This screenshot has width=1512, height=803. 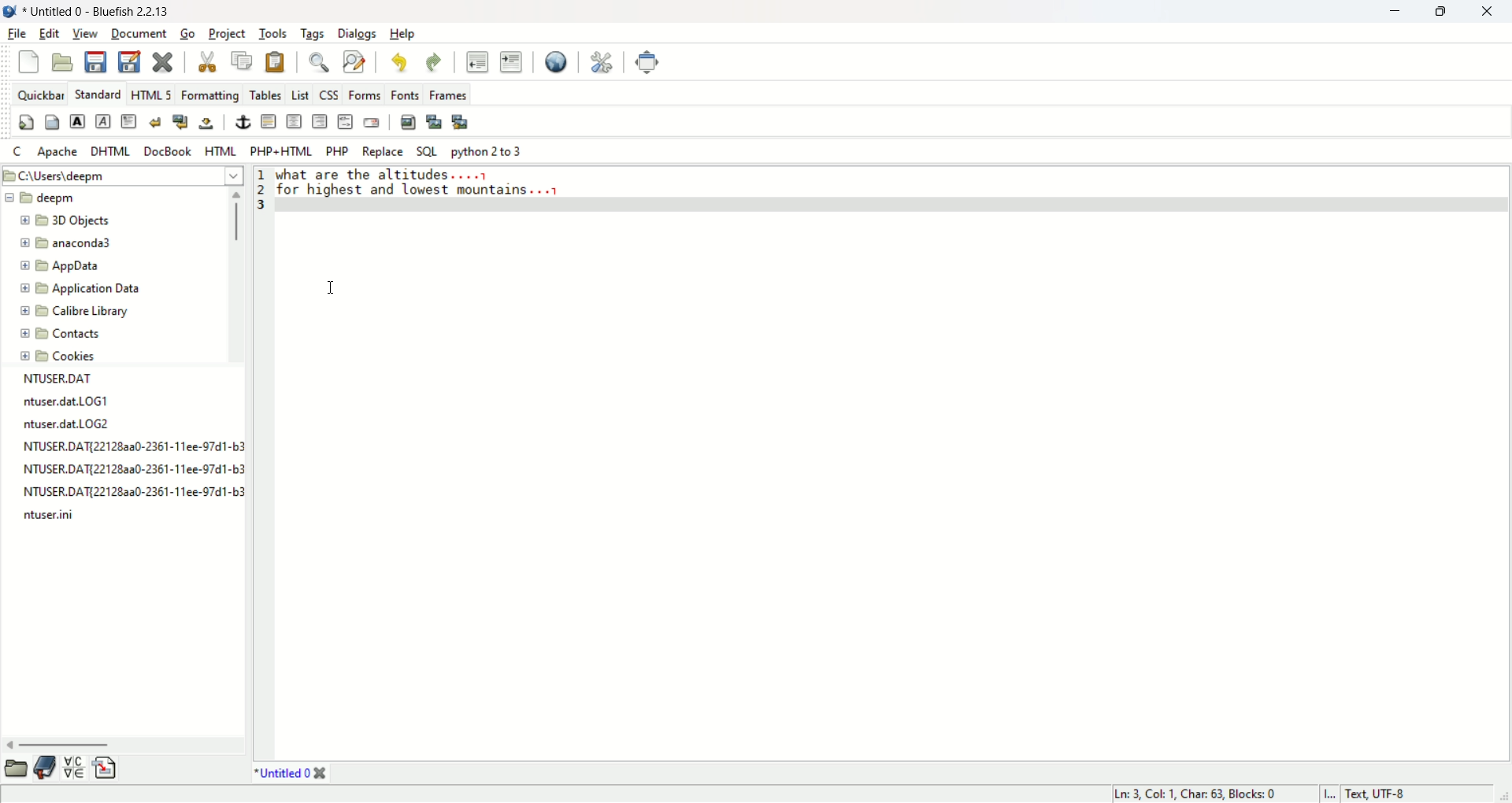 I want to click on file name, so click(x=75, y=403).